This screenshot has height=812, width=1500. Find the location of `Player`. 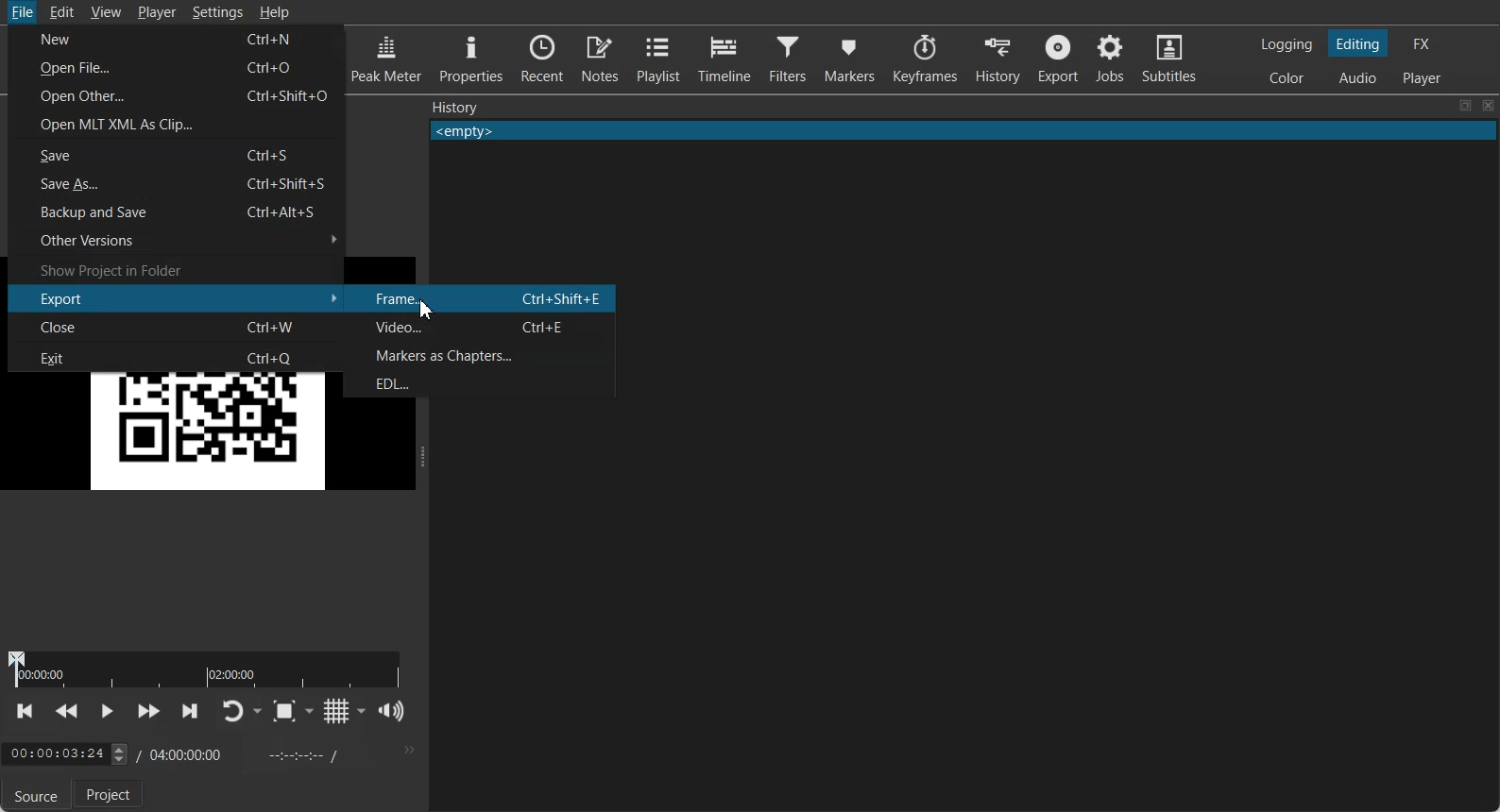

Player is located at coordinates (159, 13).